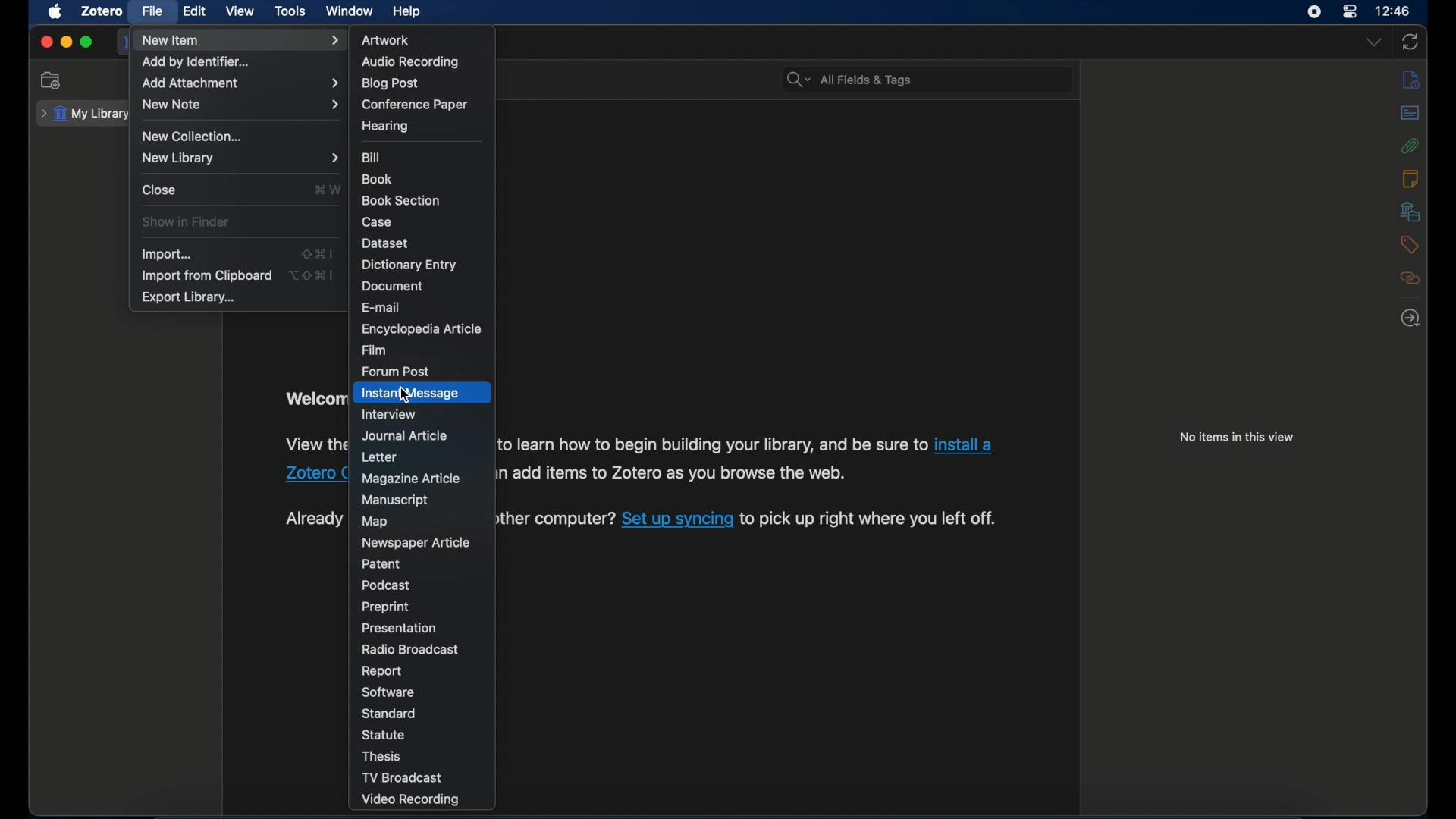 The height and width of the screenshot is (819, 1456). Describe the element at coordinates (411, 479) in the screenshot. I see `magazine article` at that location.